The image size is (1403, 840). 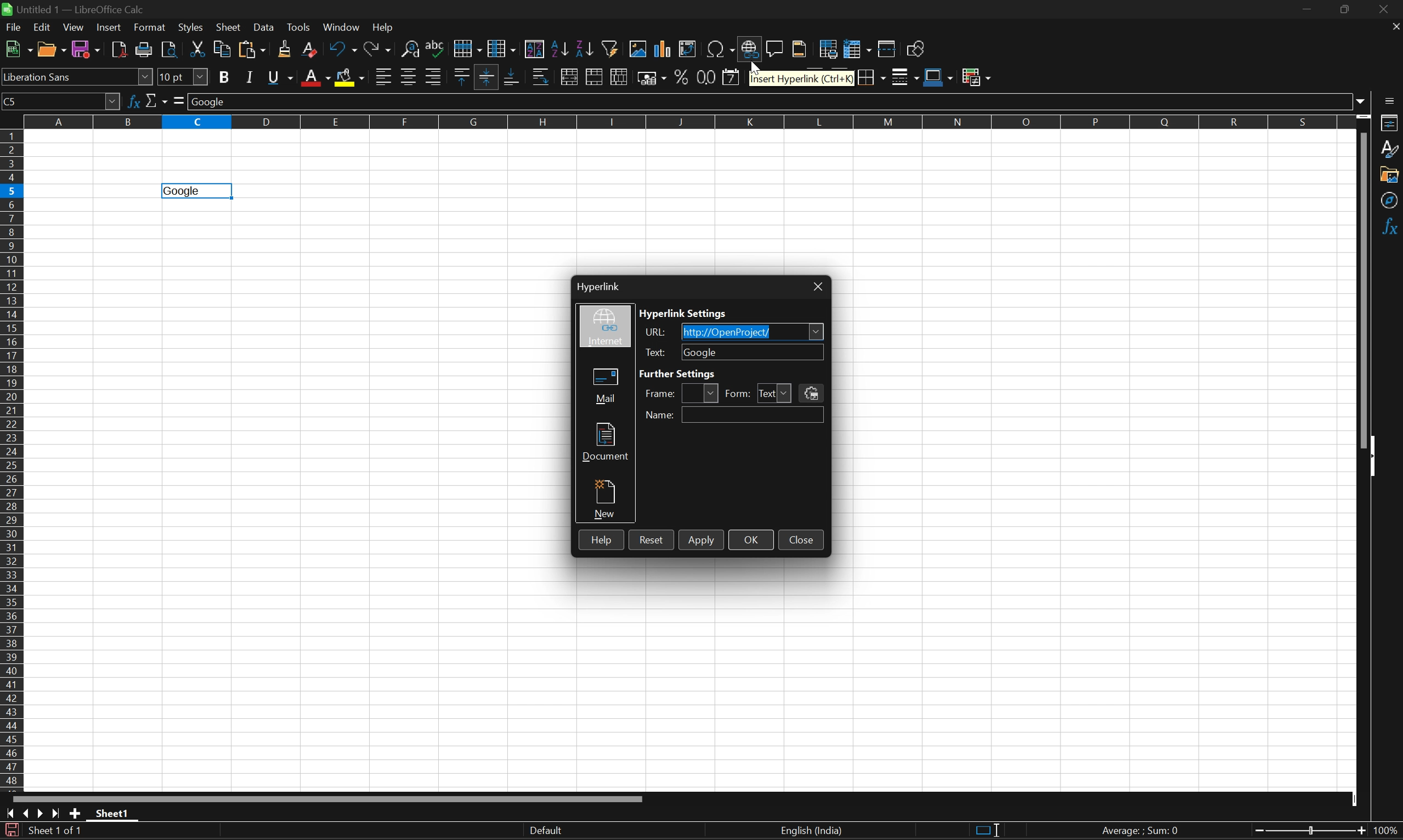 What do you see at coordinates (544, 830) in the screenshot?
I see `Default` at bounding box center [544, 830].